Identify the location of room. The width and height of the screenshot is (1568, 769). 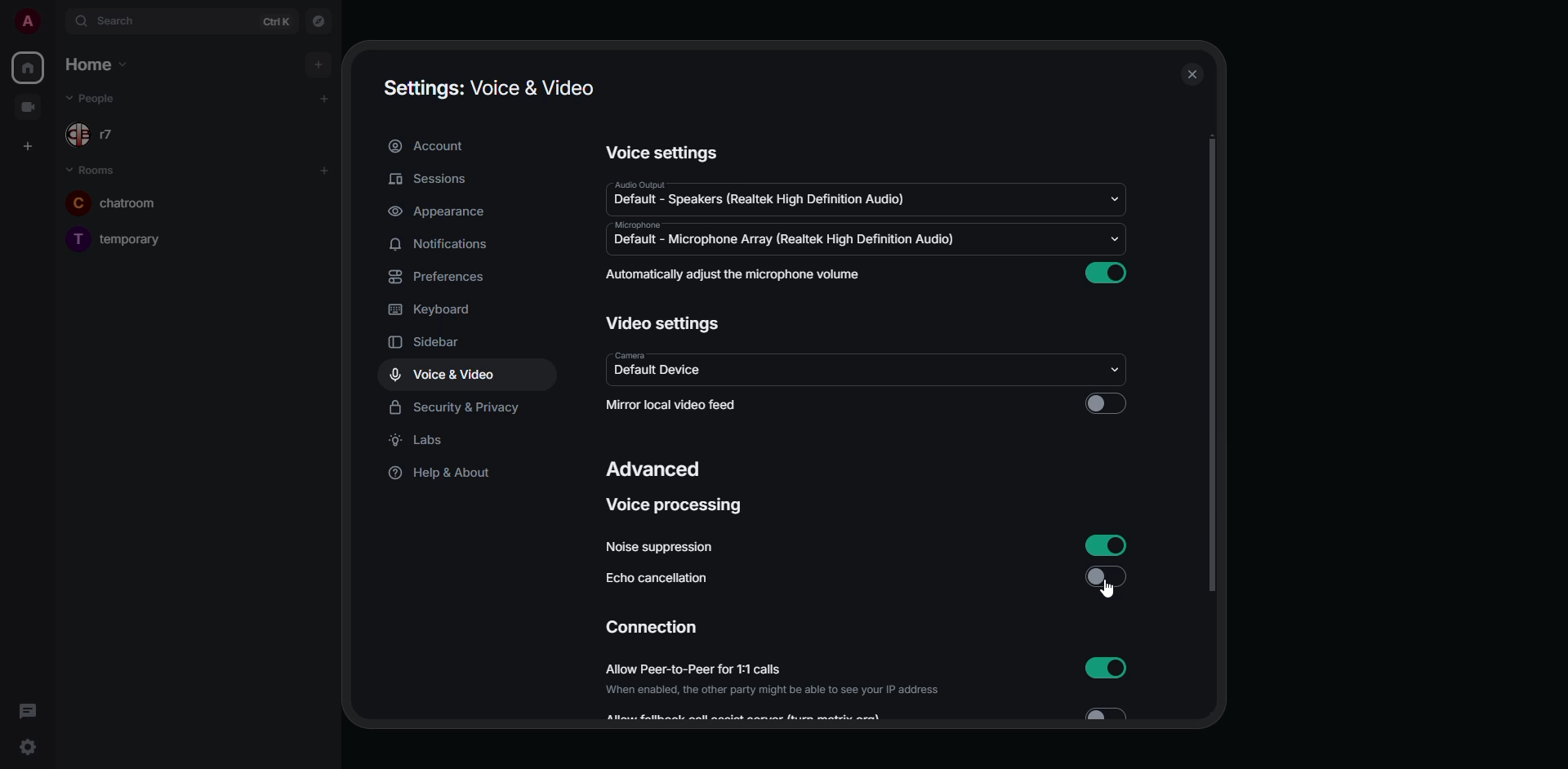
(127, 238).